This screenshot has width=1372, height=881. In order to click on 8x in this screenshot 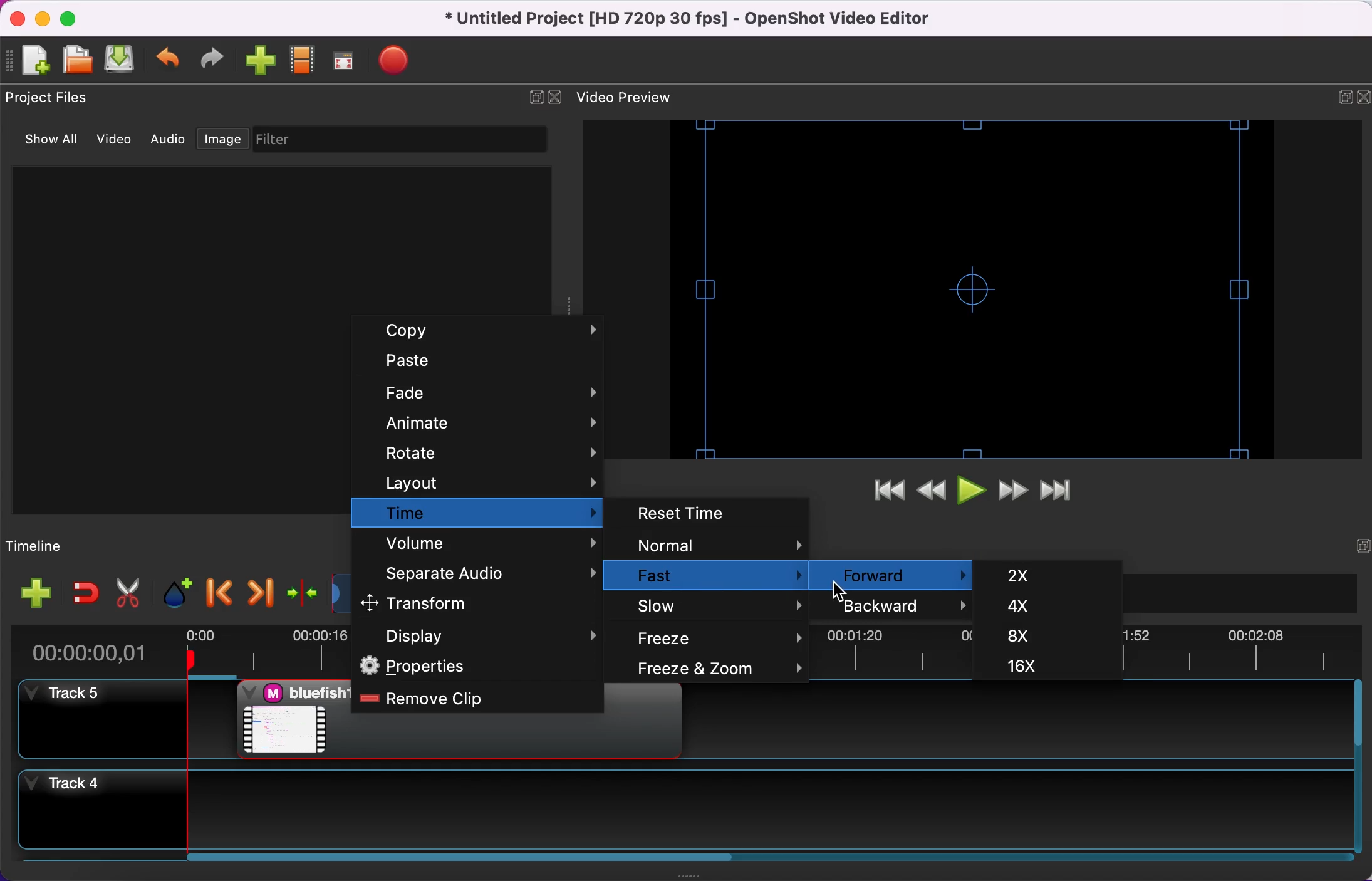, I will do `click(1040, 633)`.